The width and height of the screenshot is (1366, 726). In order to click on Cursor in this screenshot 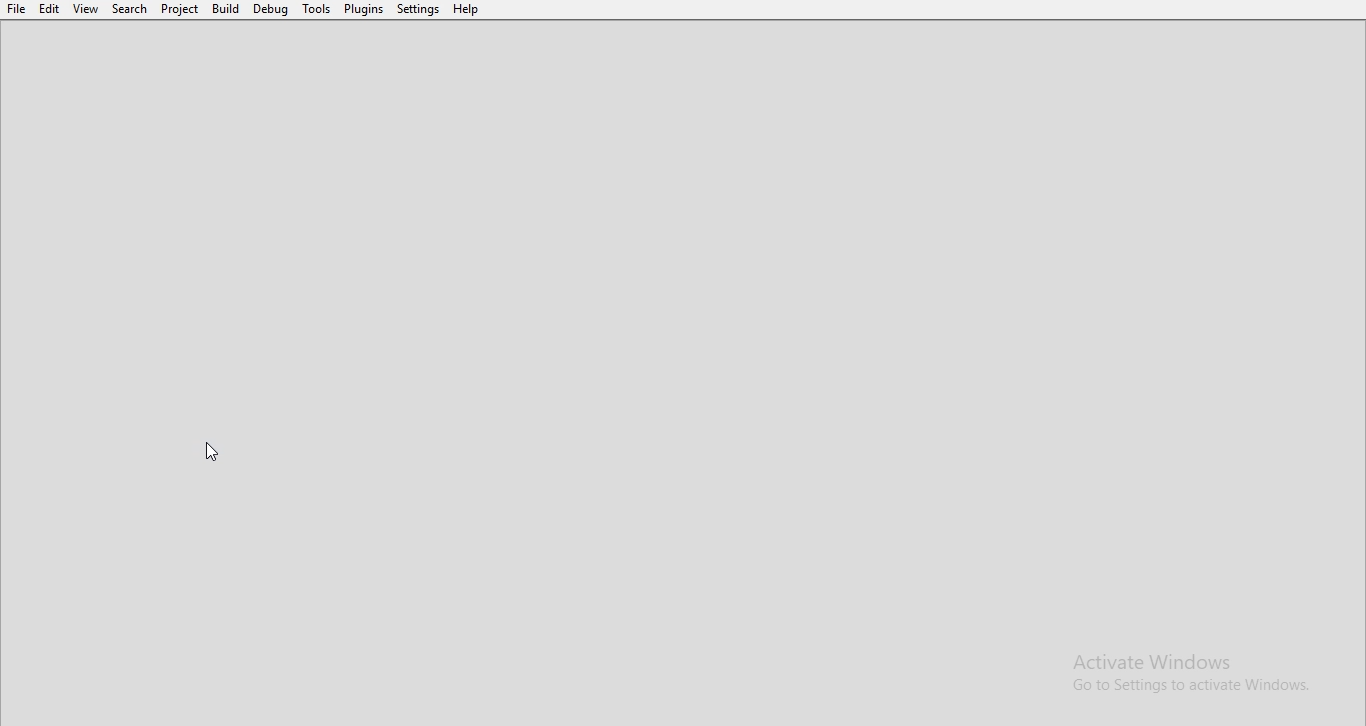, I will do `click(213, 451)`.